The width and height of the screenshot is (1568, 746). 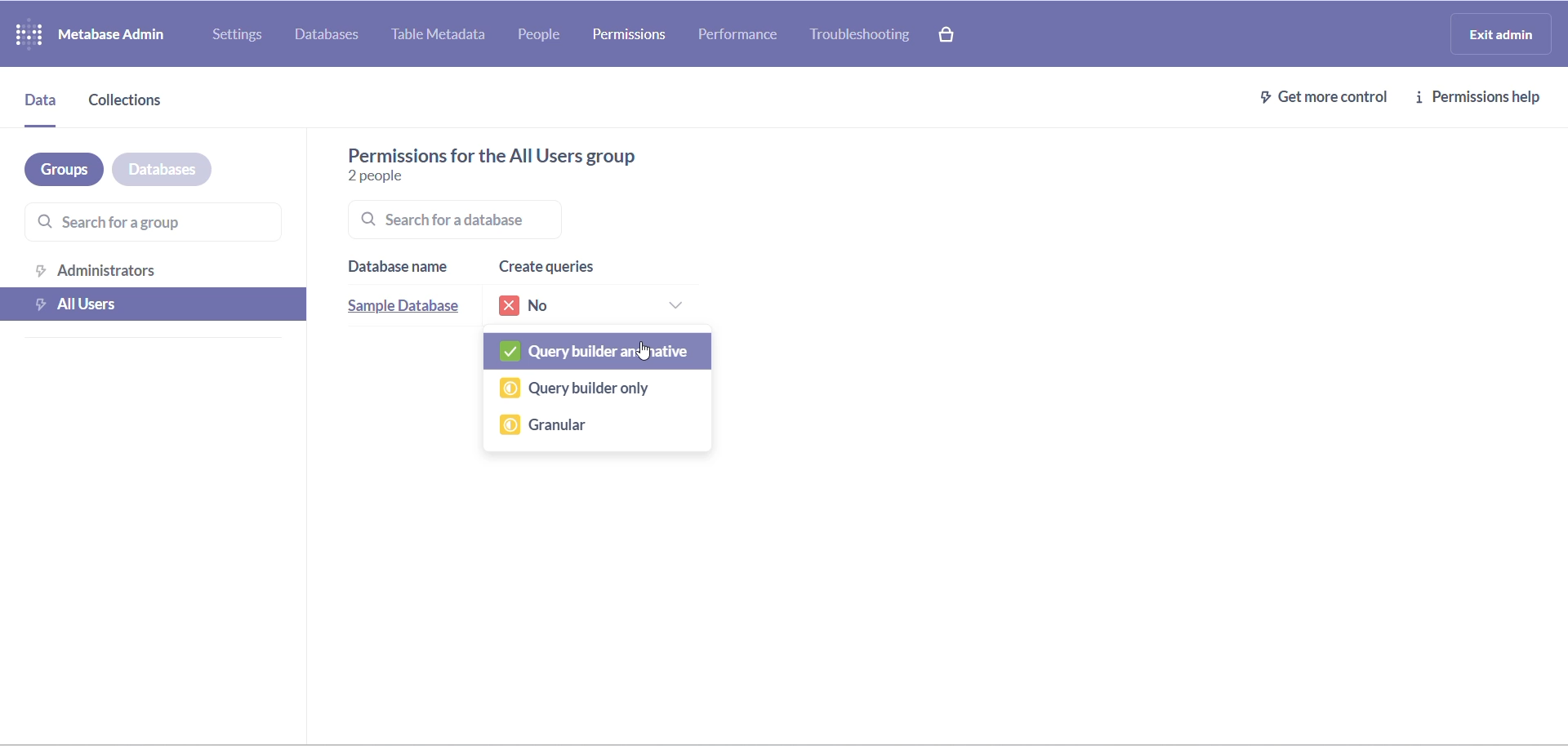 What do you see at coordinates (155, 304) in the screenshot?
I see `all users` at bounding box center [155, 304].